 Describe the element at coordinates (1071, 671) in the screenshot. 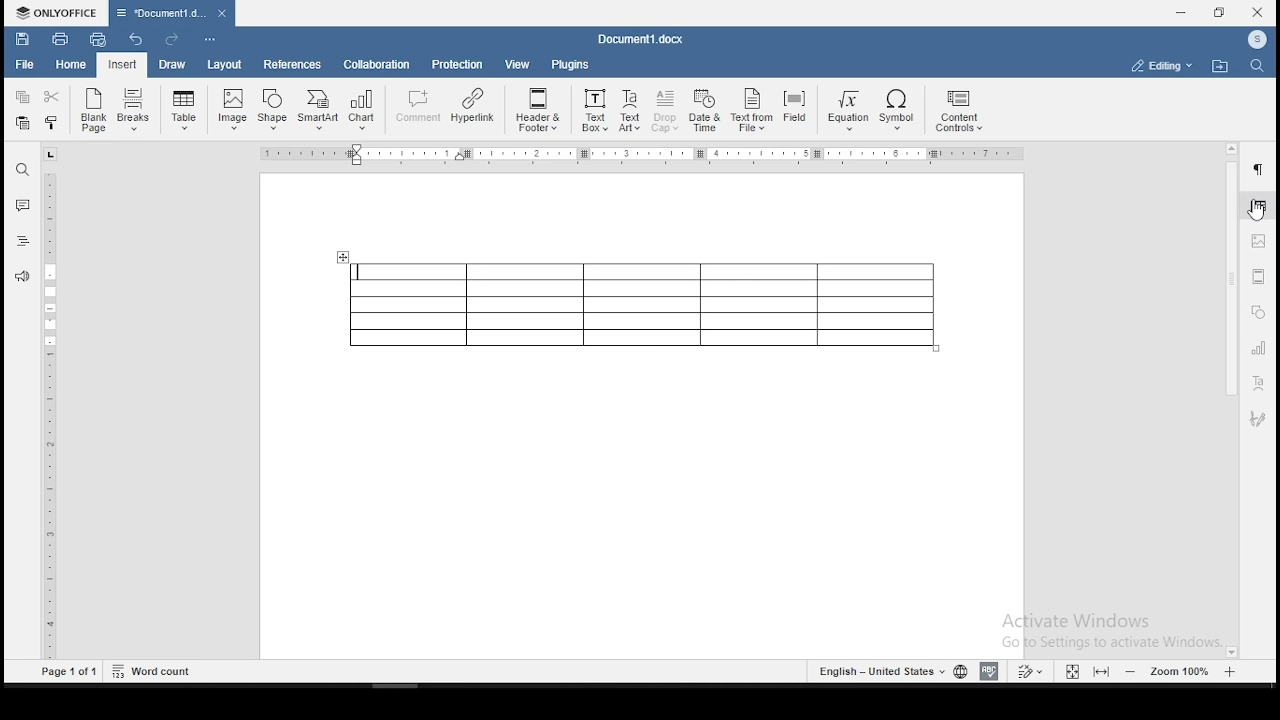

I see `fit to window` at that location.